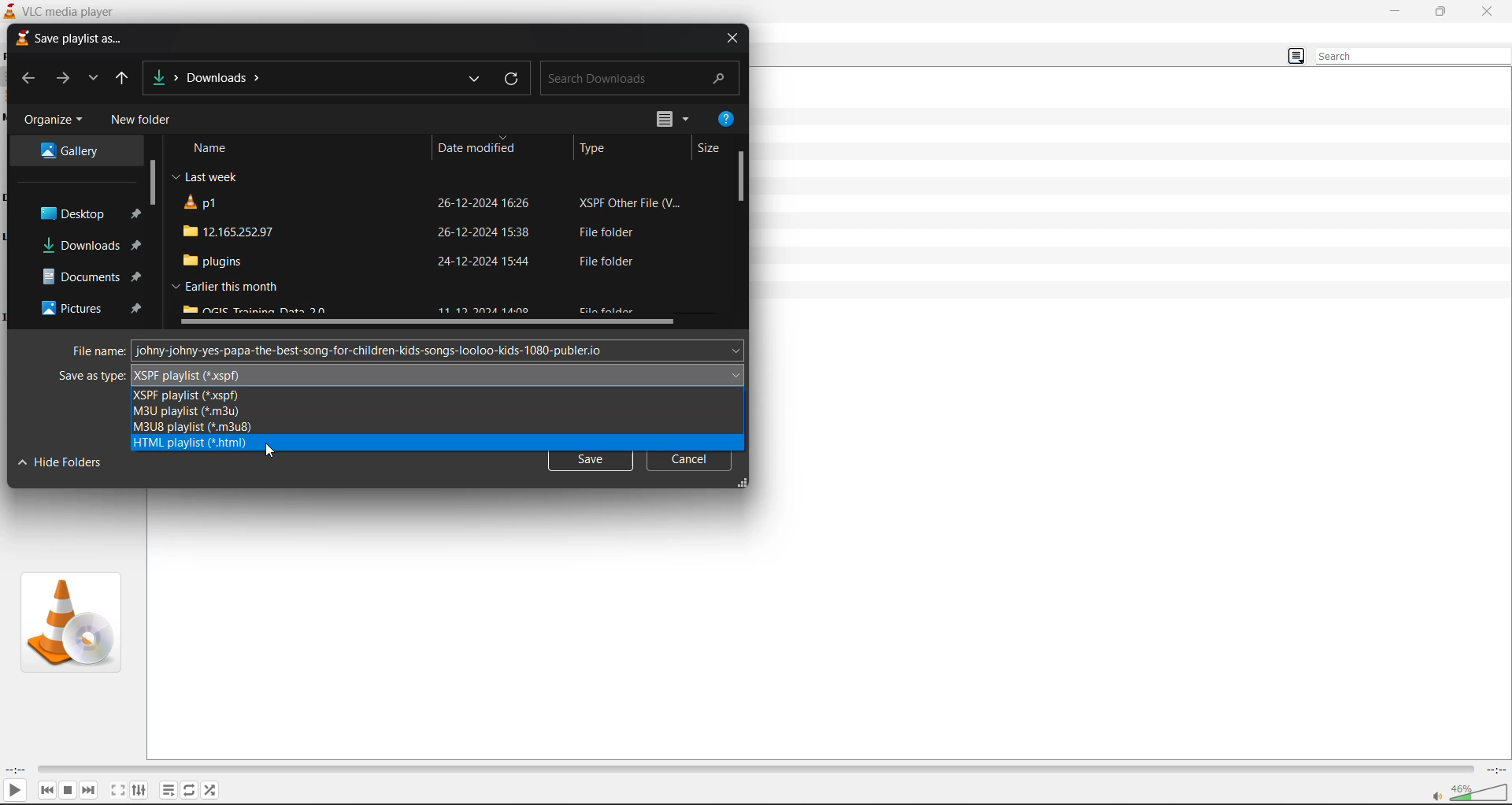 This screenshot has width=1512, height=805. What do you see at coordinates (61, 80) in the screenshot?
I see `forward` at bounding box center [61, 80].